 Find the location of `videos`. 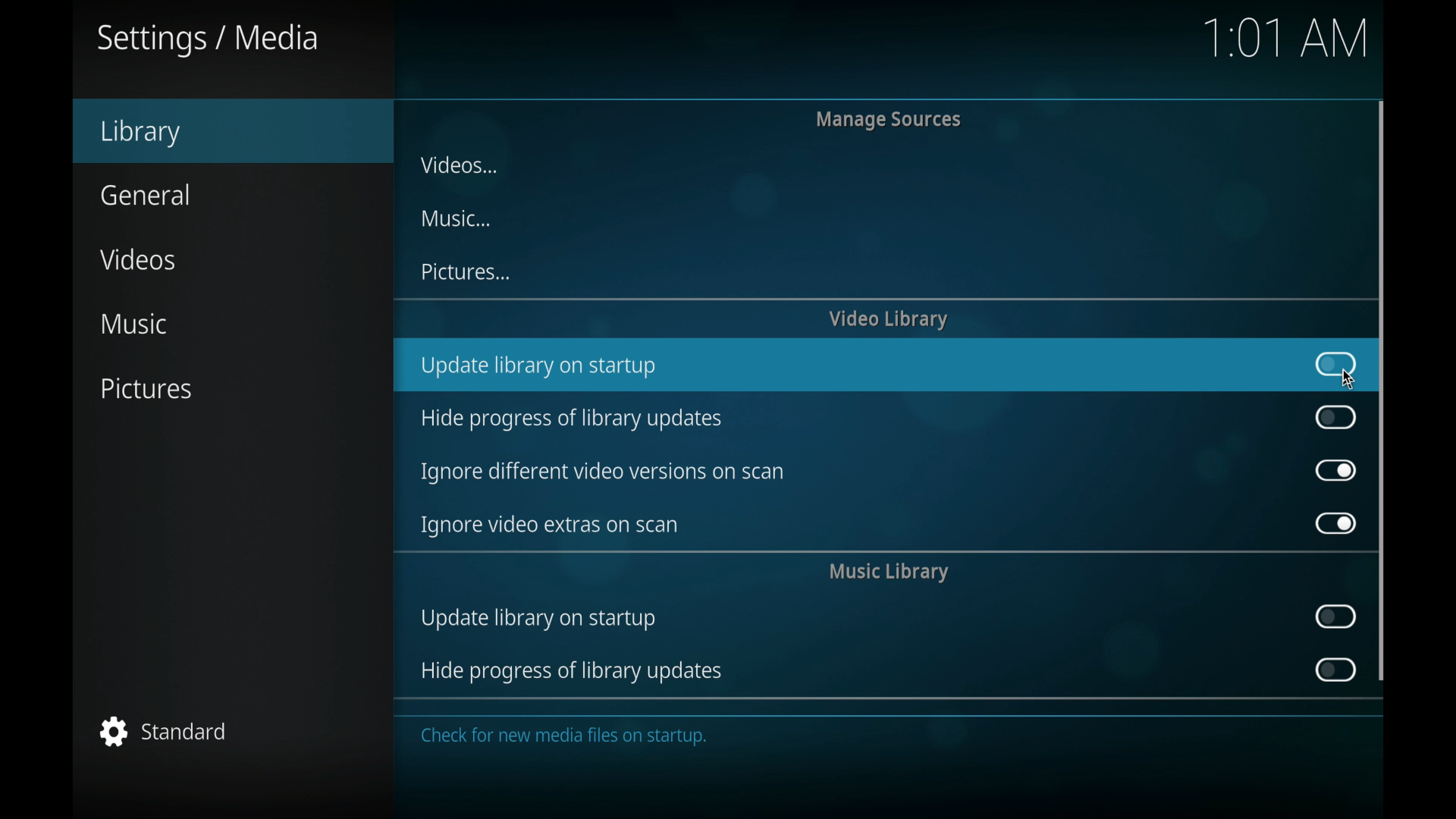

videos is located at coordinates (136, 259).